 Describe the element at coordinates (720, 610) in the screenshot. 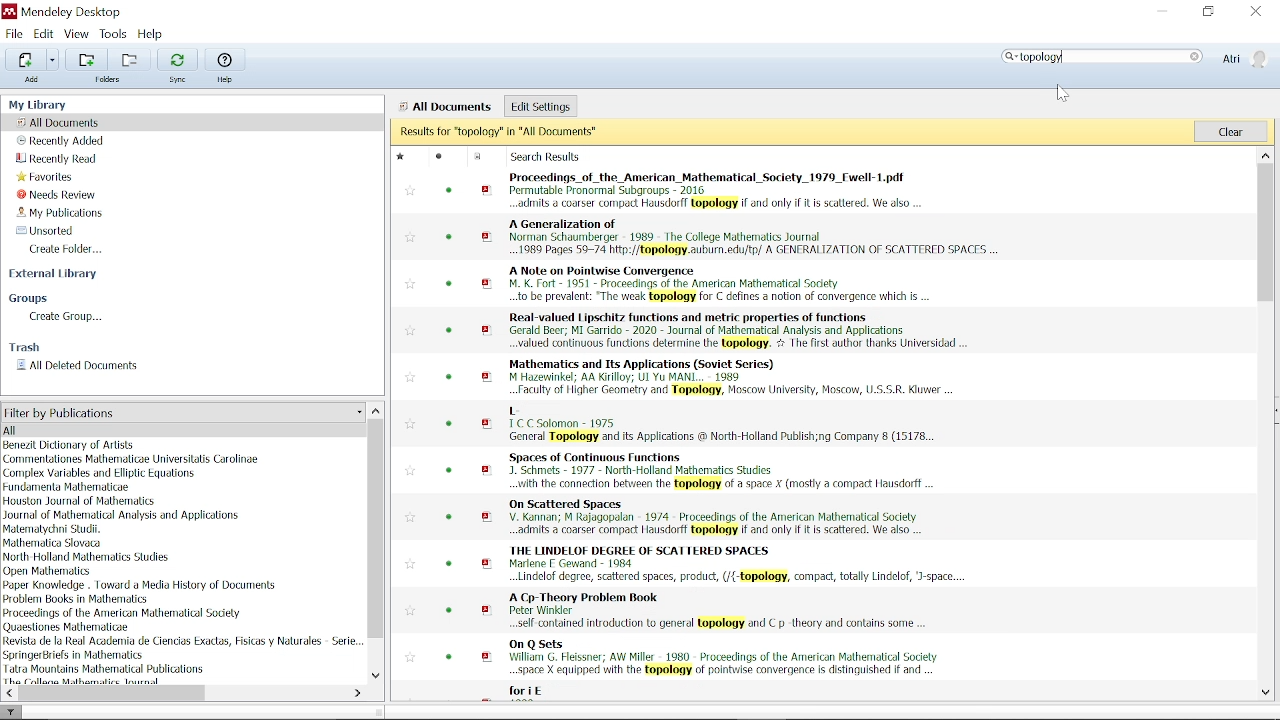

I see `citation` at that location.